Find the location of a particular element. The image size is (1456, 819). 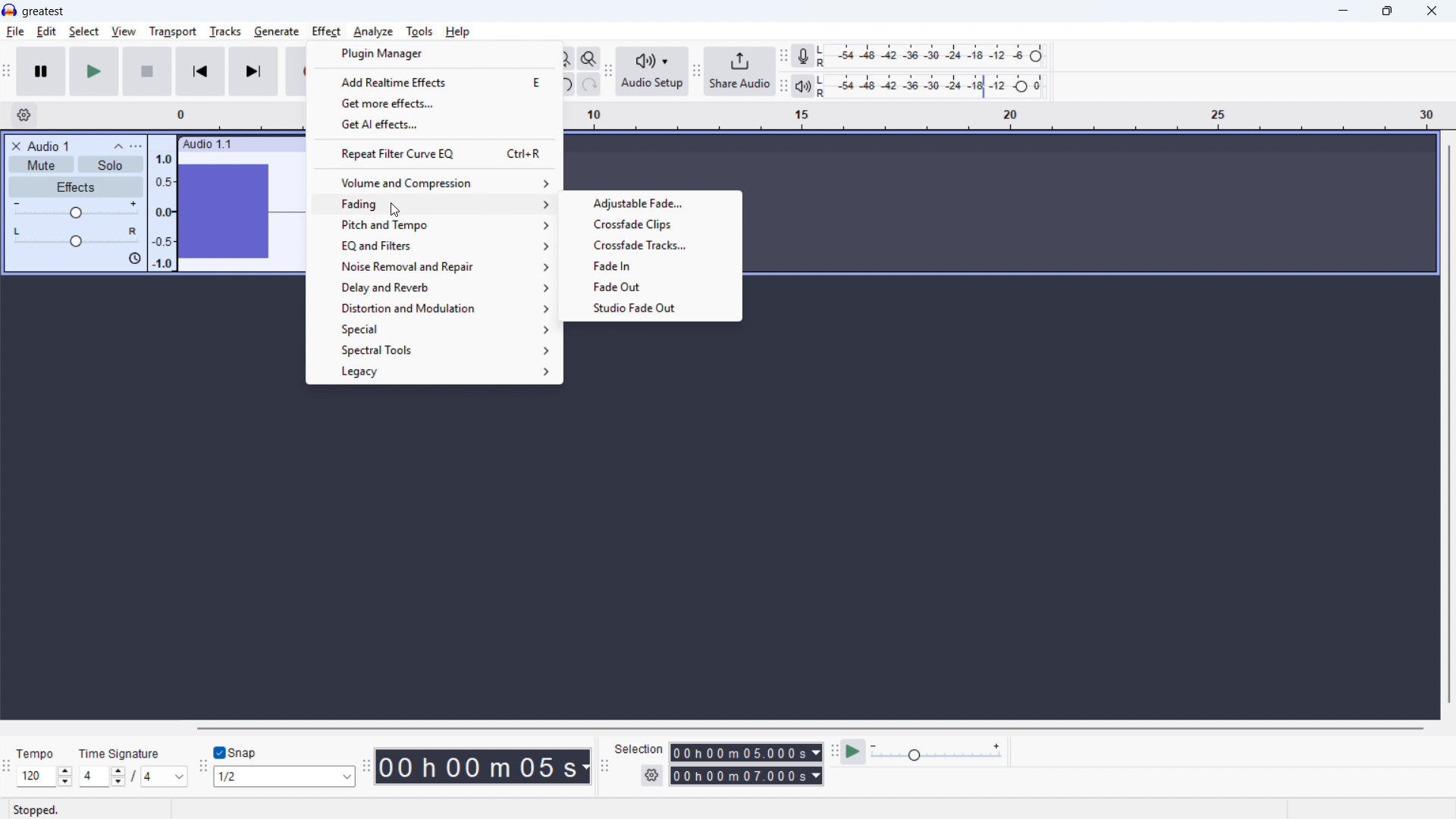

E Q and filters  is located at coordinates (435, 246).